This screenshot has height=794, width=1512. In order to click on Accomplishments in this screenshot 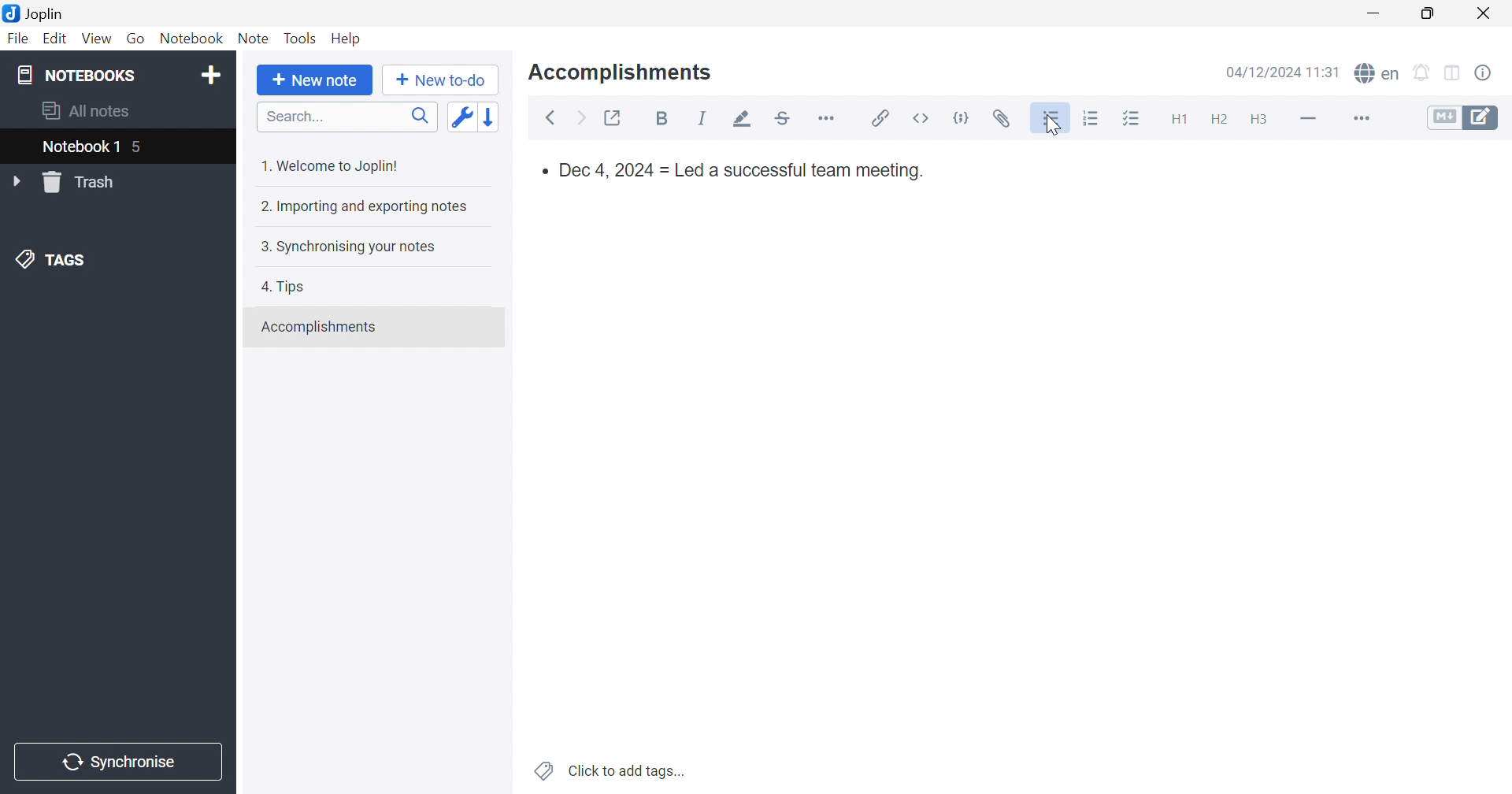, I will do `click(321, 327)`.